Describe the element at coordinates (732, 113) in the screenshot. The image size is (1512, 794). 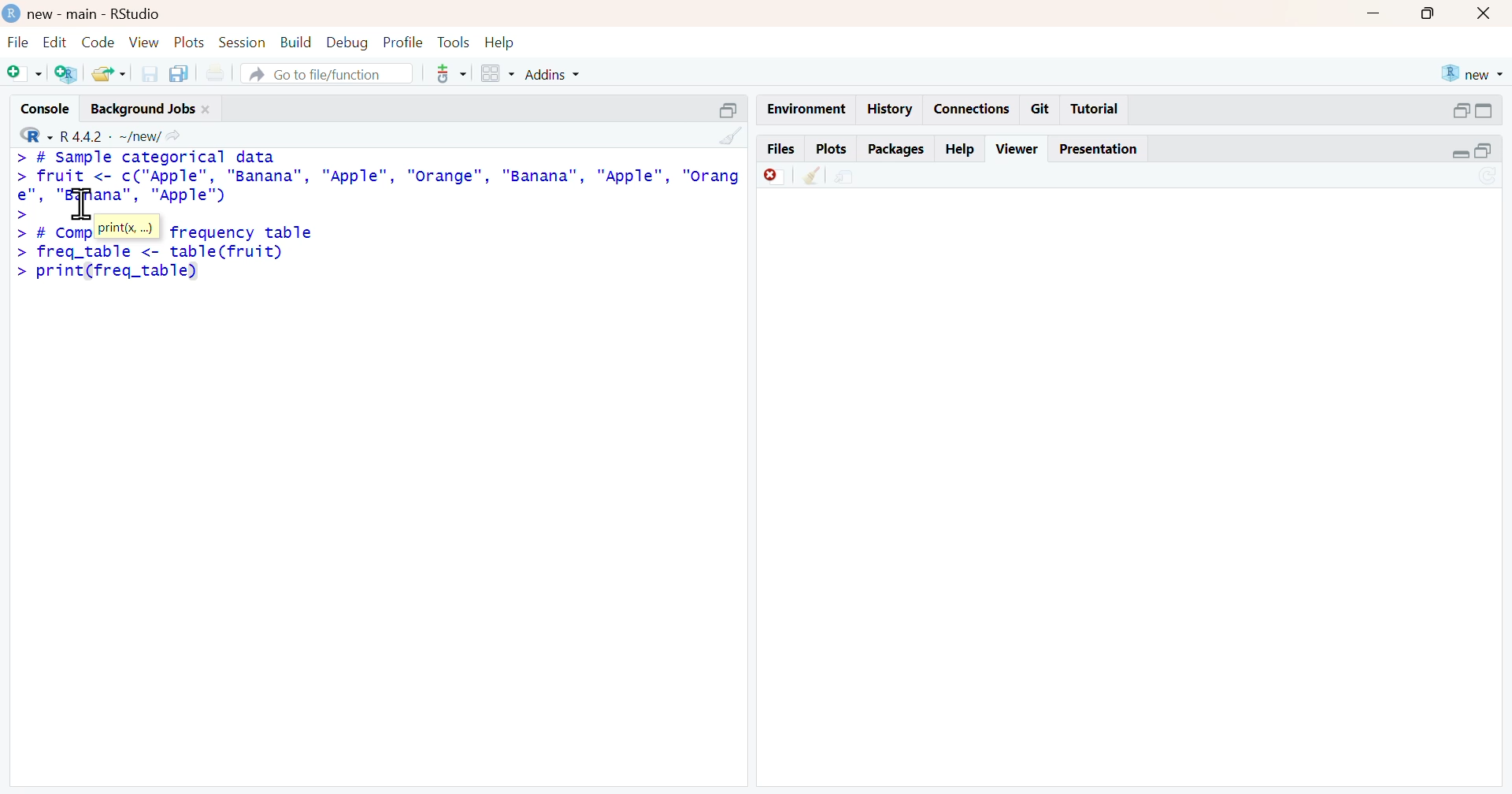
I see `collapse` at that location.